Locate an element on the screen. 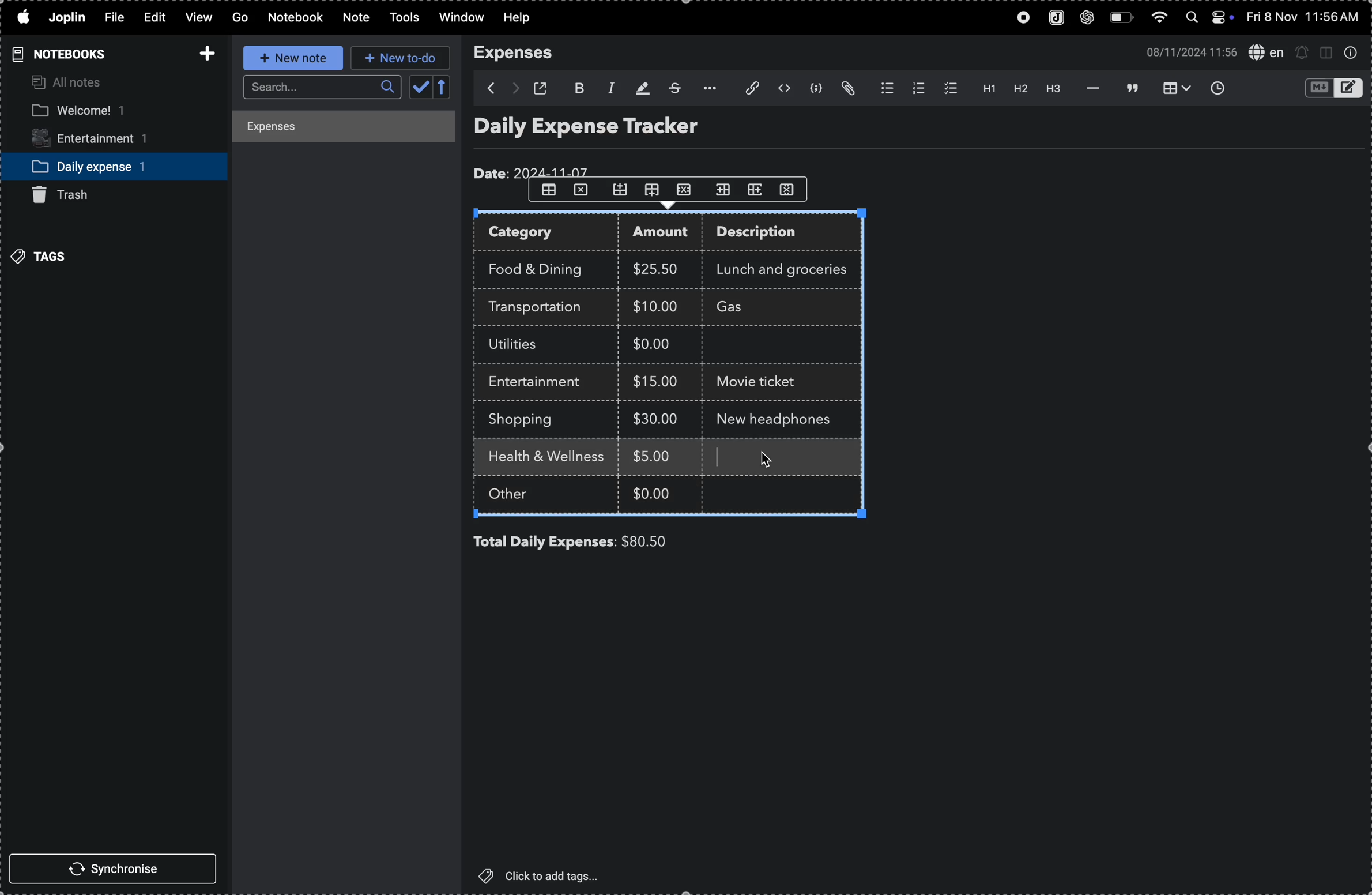  horrizontal line is located at coordinates (1090, 88).